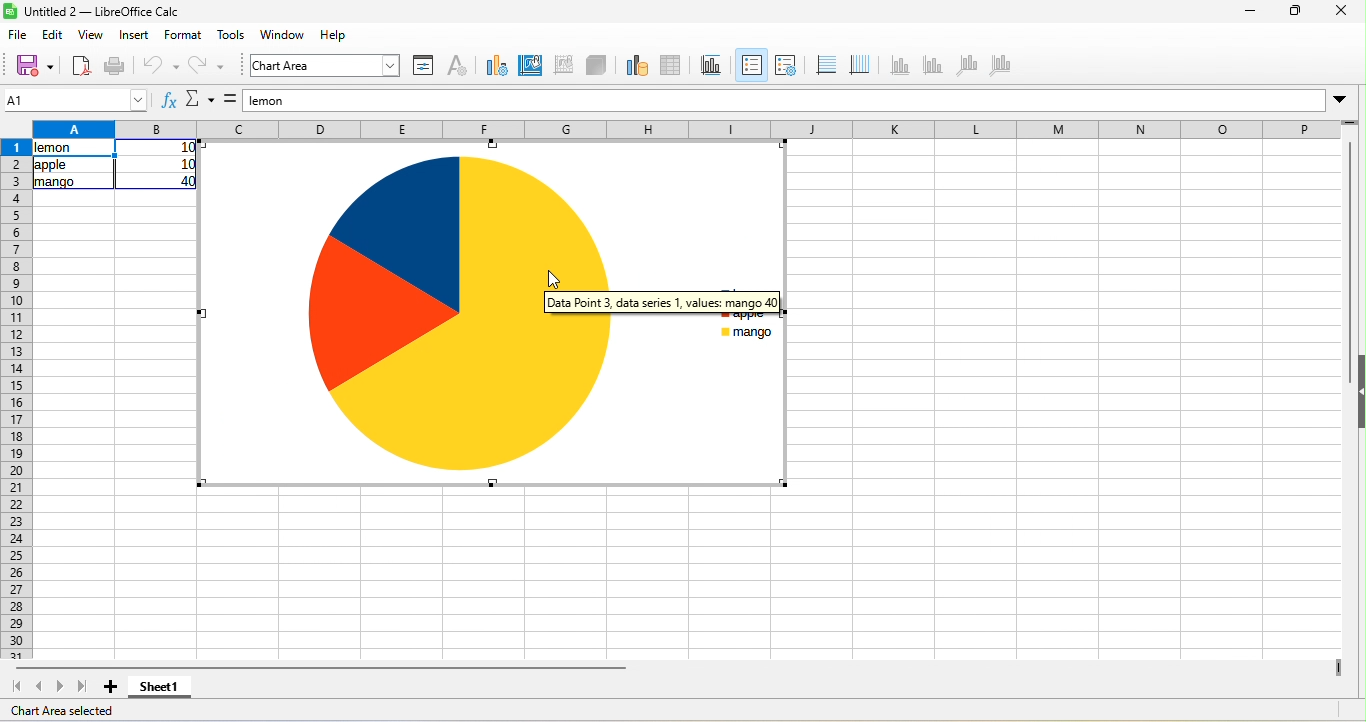 Image resolution: width=1366 pixels, height=722 pixels. Describe the element at coordinates (164, 103) in the screenshot. I see `function wizard` at that location.